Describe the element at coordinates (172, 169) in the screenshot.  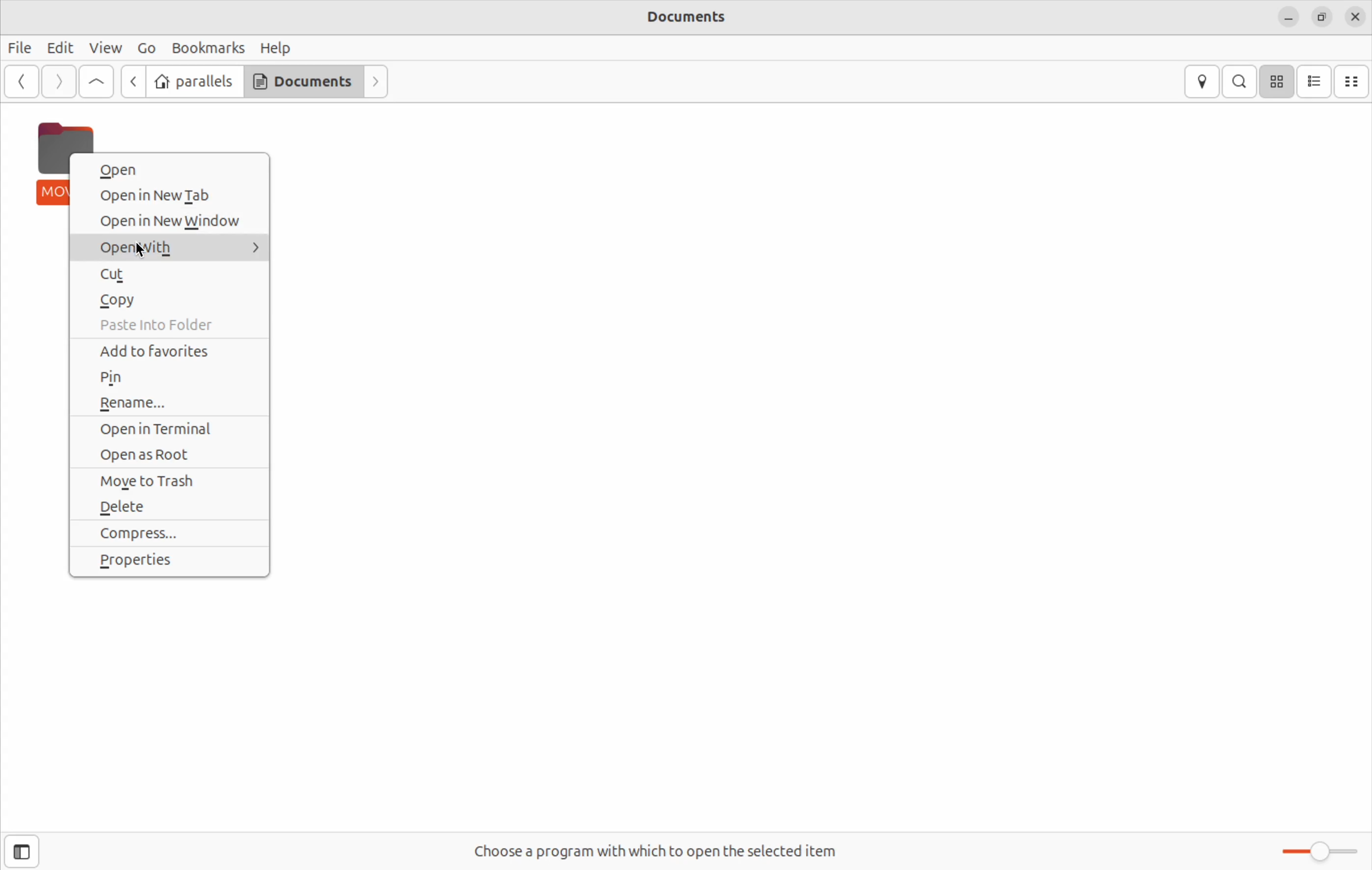
I see `open` at that location.